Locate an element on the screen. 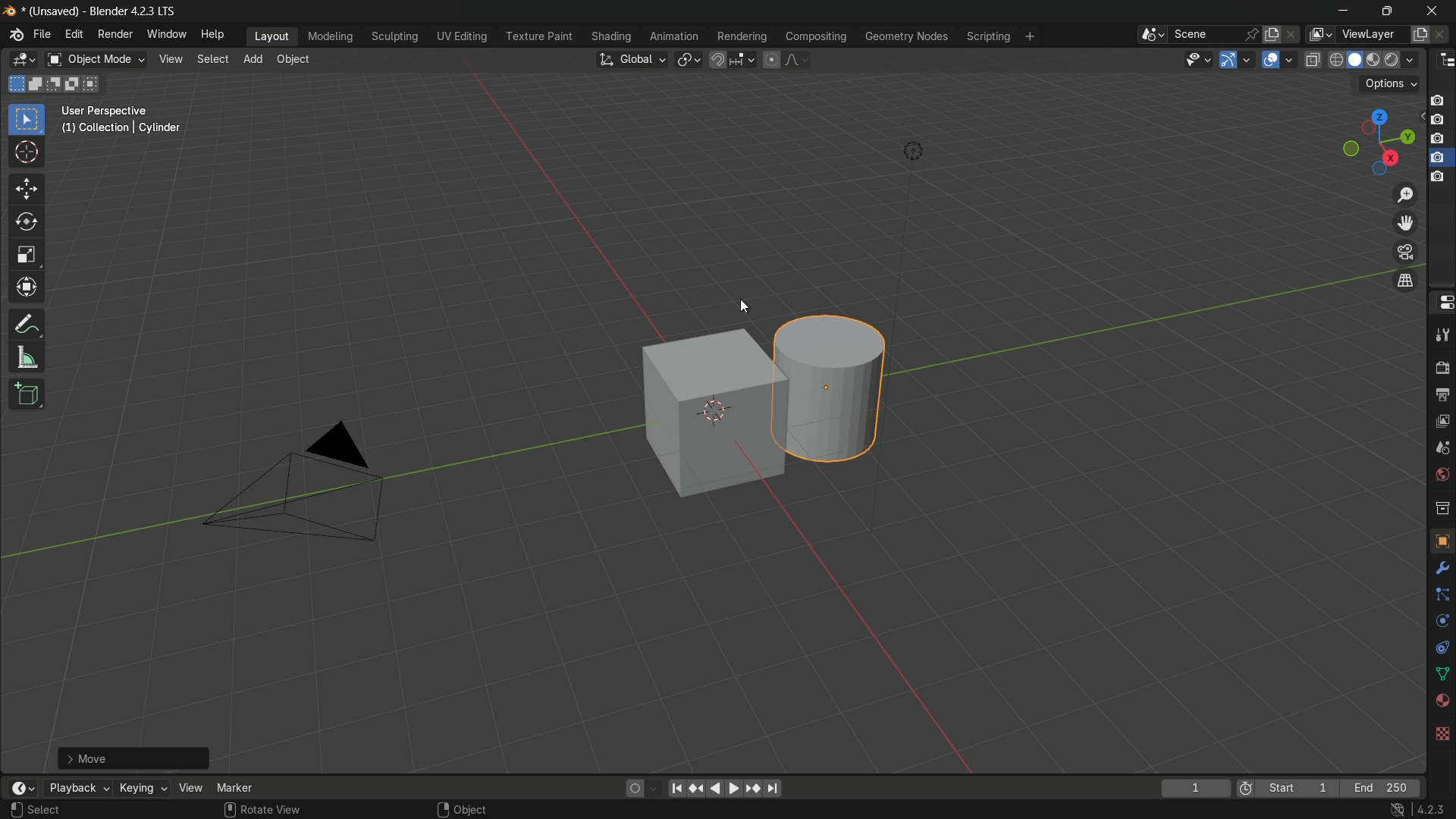  D: 0.1058 m (0.1058 m) along global Y is located at coordinates (108, 84).